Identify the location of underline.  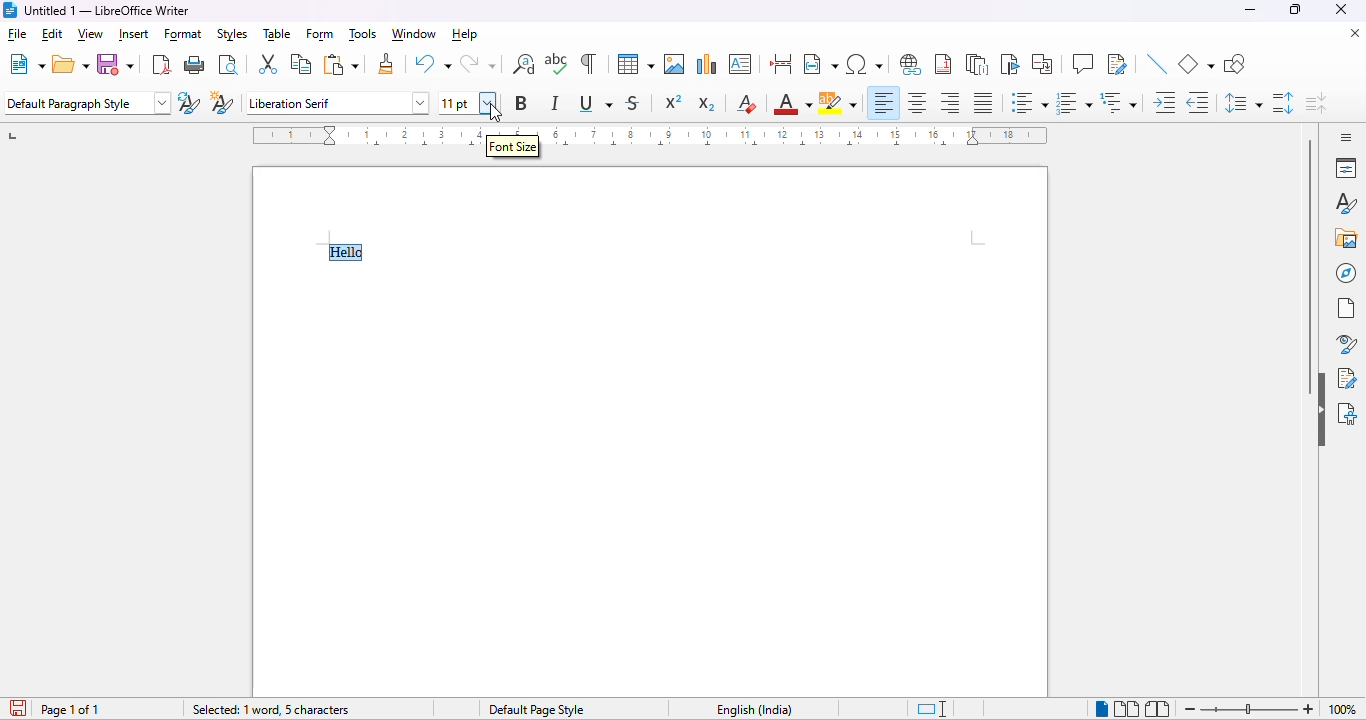
(597, 104).